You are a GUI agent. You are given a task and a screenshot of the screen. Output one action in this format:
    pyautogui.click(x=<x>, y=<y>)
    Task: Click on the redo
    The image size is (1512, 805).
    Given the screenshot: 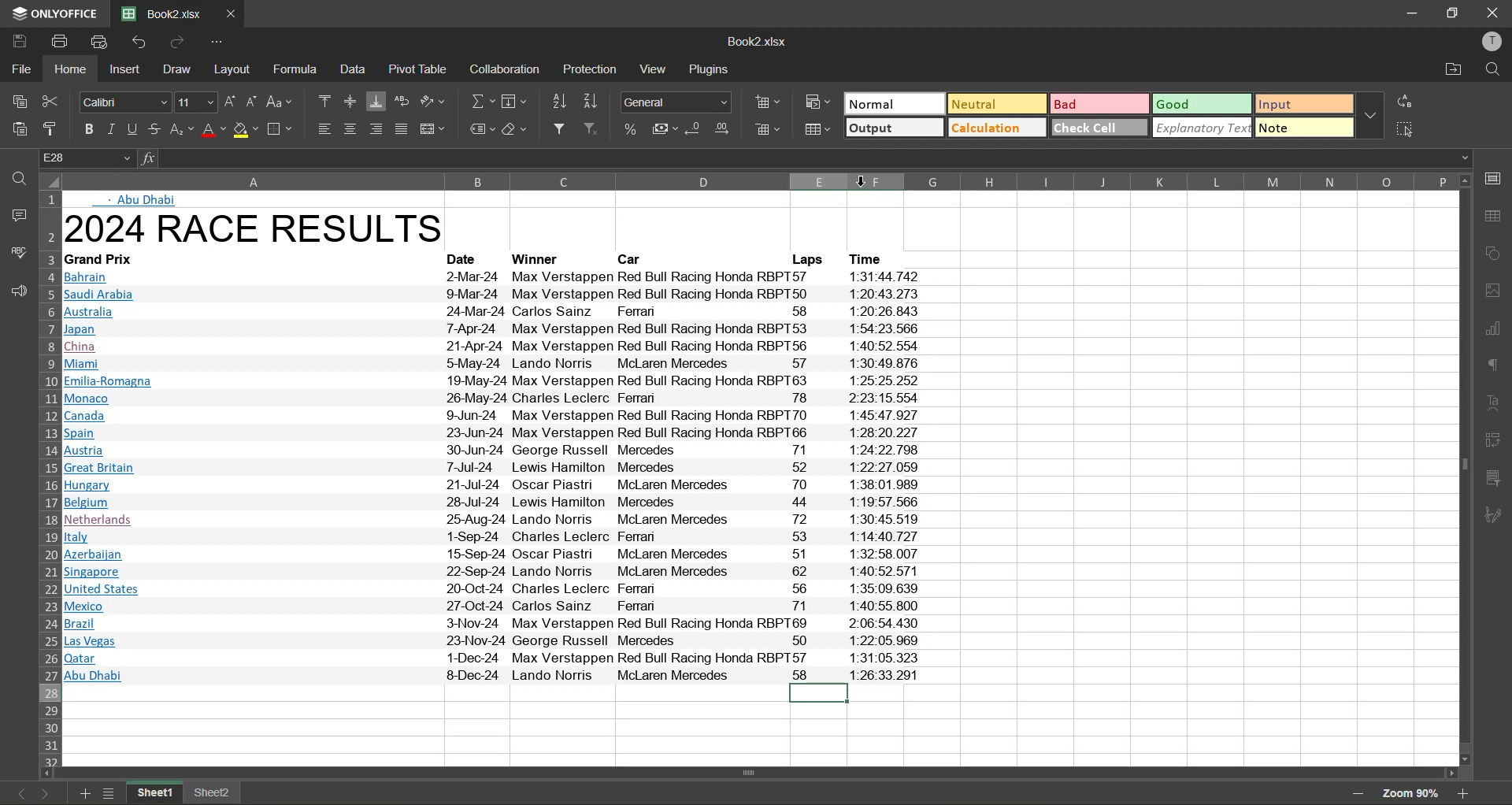 What is the action you would take?
    pyautogui.click(x=179, y=43)
    